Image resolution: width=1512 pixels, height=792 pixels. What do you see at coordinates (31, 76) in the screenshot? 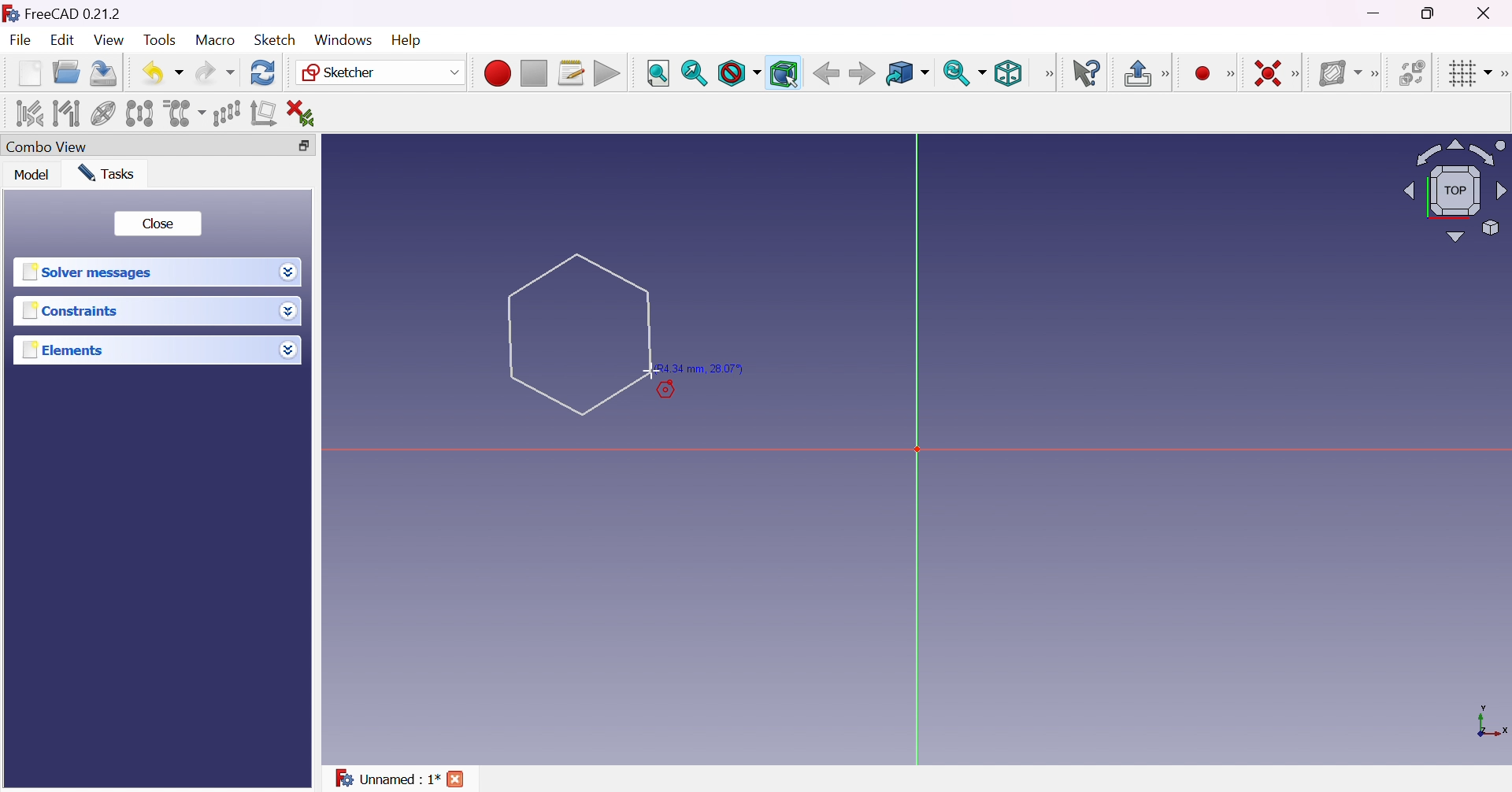
I see `New` at bounding box center [31, 76].